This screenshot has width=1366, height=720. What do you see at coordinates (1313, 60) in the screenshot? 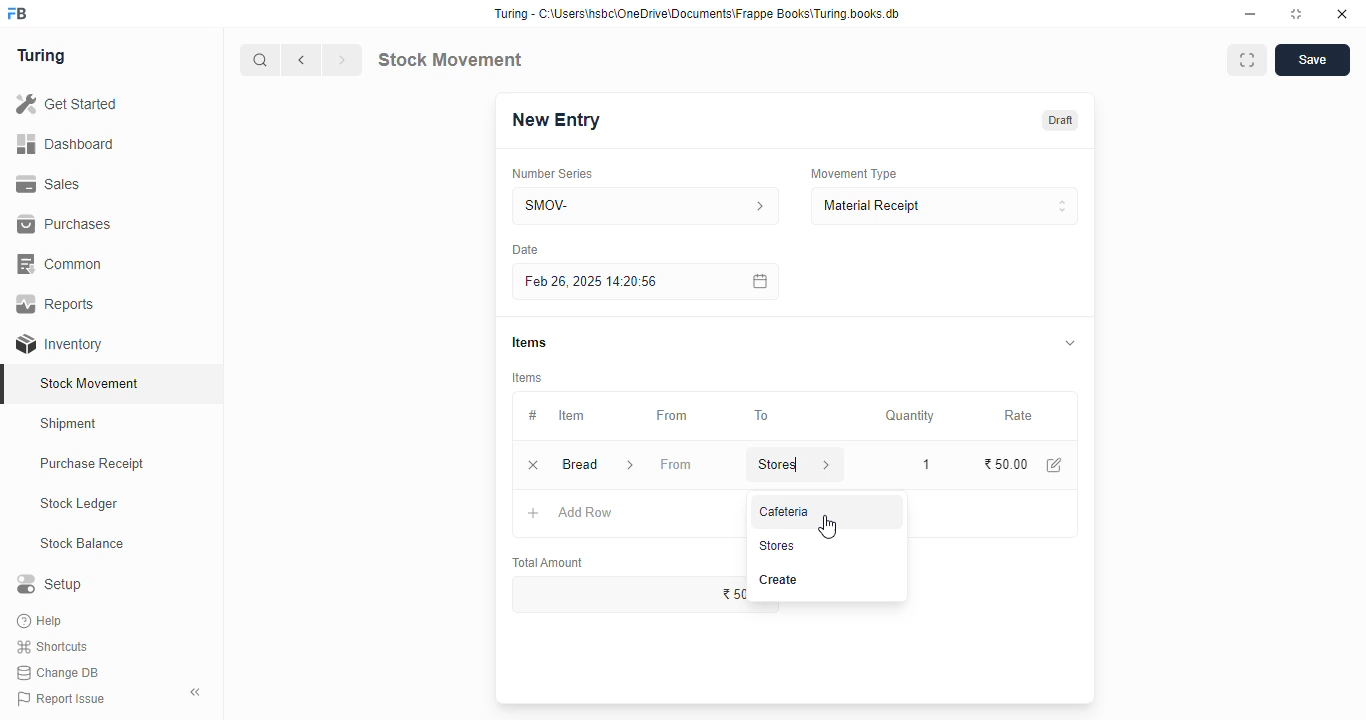
I see `save` at bounding box center [1313, 60].